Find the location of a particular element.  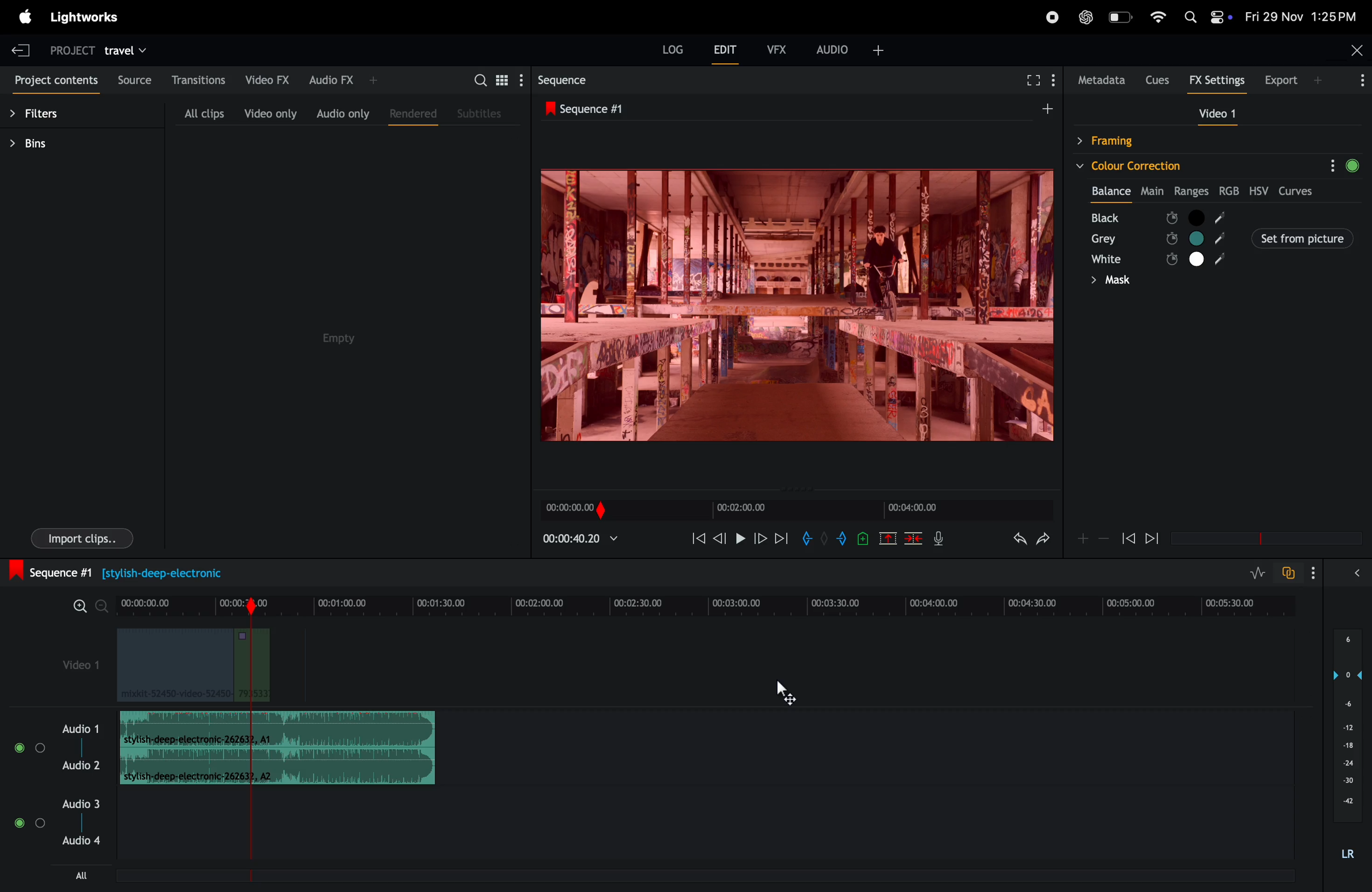

Audio 2 is located at coordinates (81, 765).